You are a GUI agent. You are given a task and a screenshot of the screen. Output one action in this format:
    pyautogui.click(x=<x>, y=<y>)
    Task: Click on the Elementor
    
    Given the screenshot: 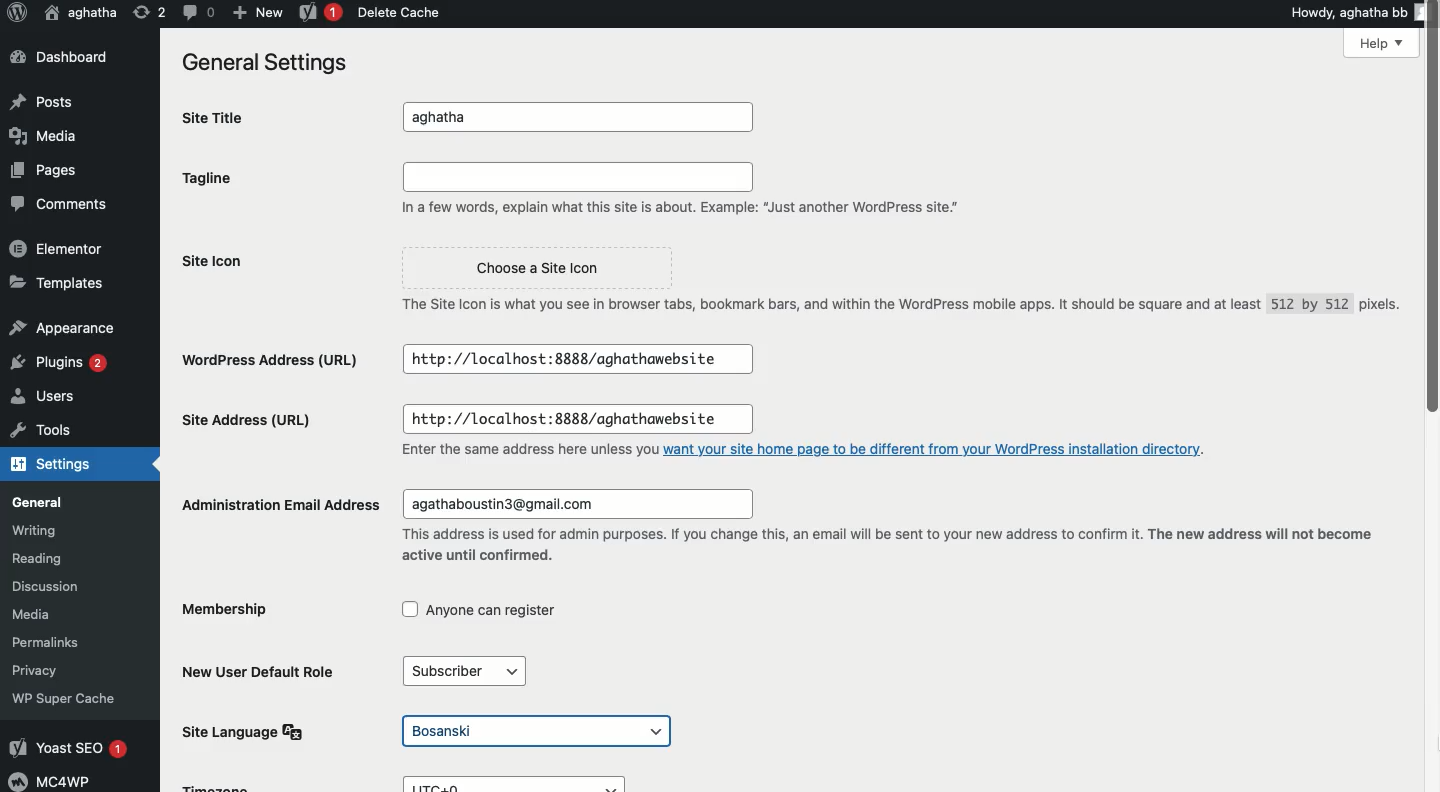 What is the action you would take?
    pyautogui.click(x=57, y=248)
    